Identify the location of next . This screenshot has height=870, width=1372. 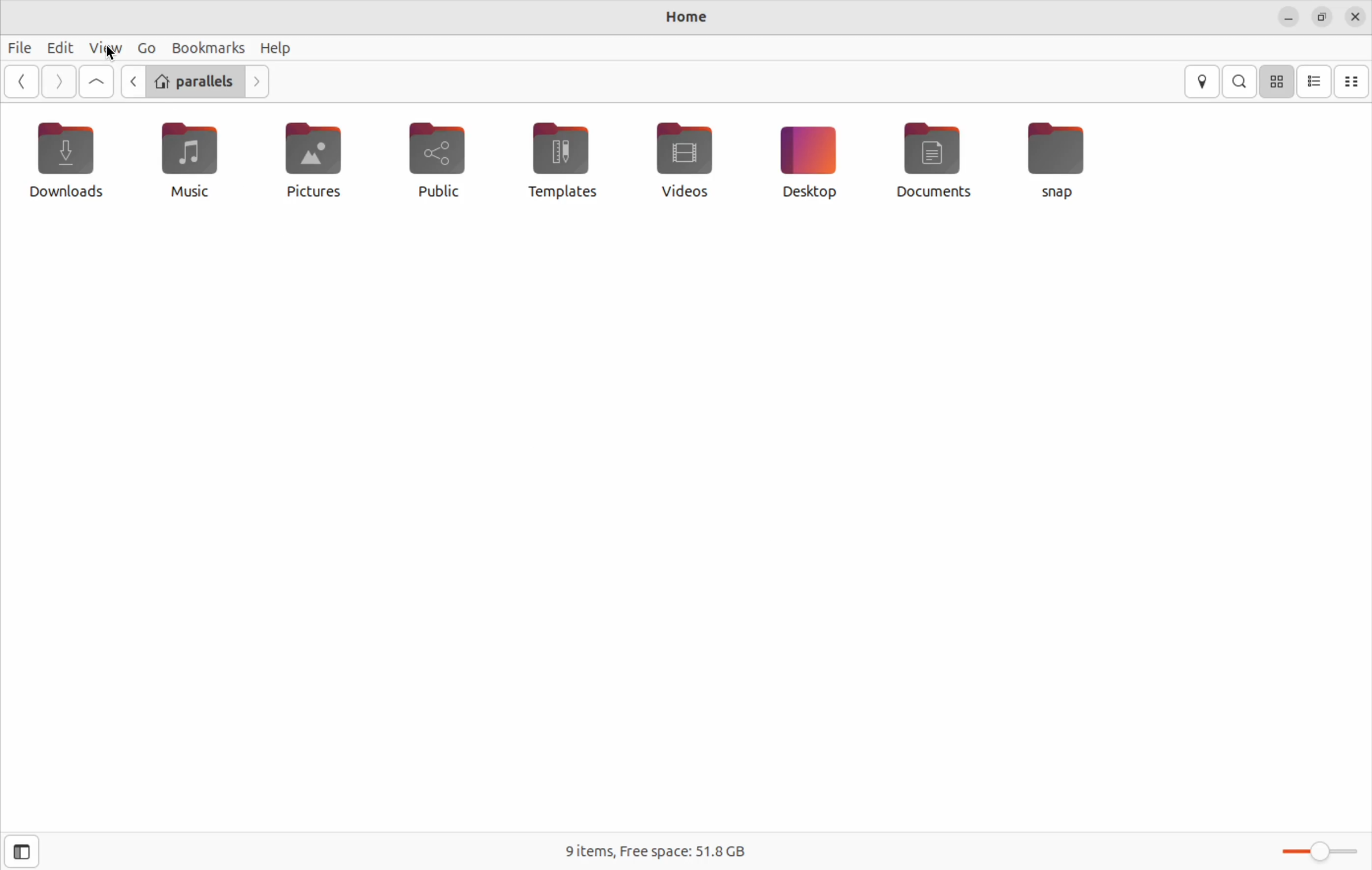
(259, 81).